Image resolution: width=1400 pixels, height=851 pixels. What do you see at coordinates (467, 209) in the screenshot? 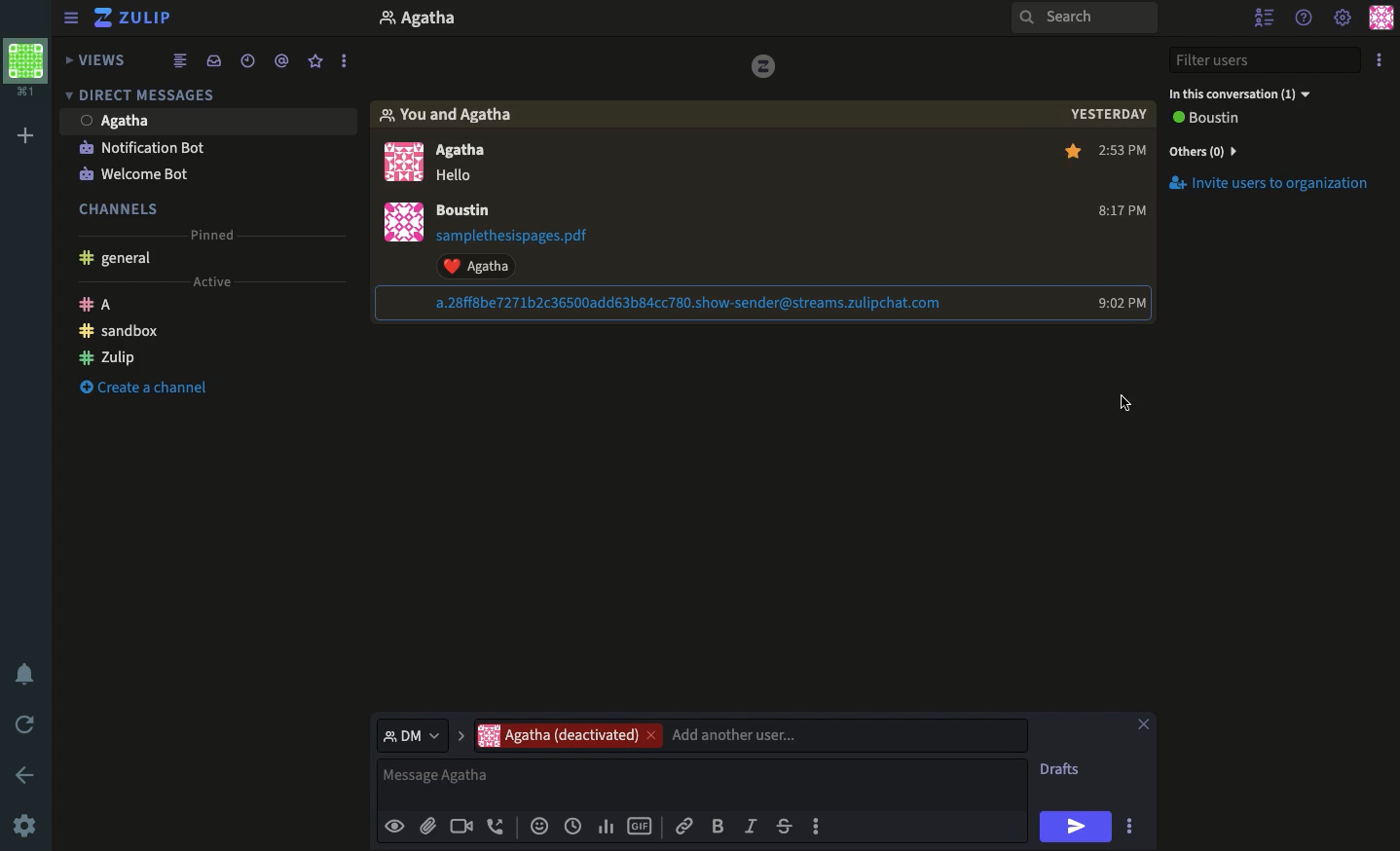
I see `User` at bounding box center [467, 209].